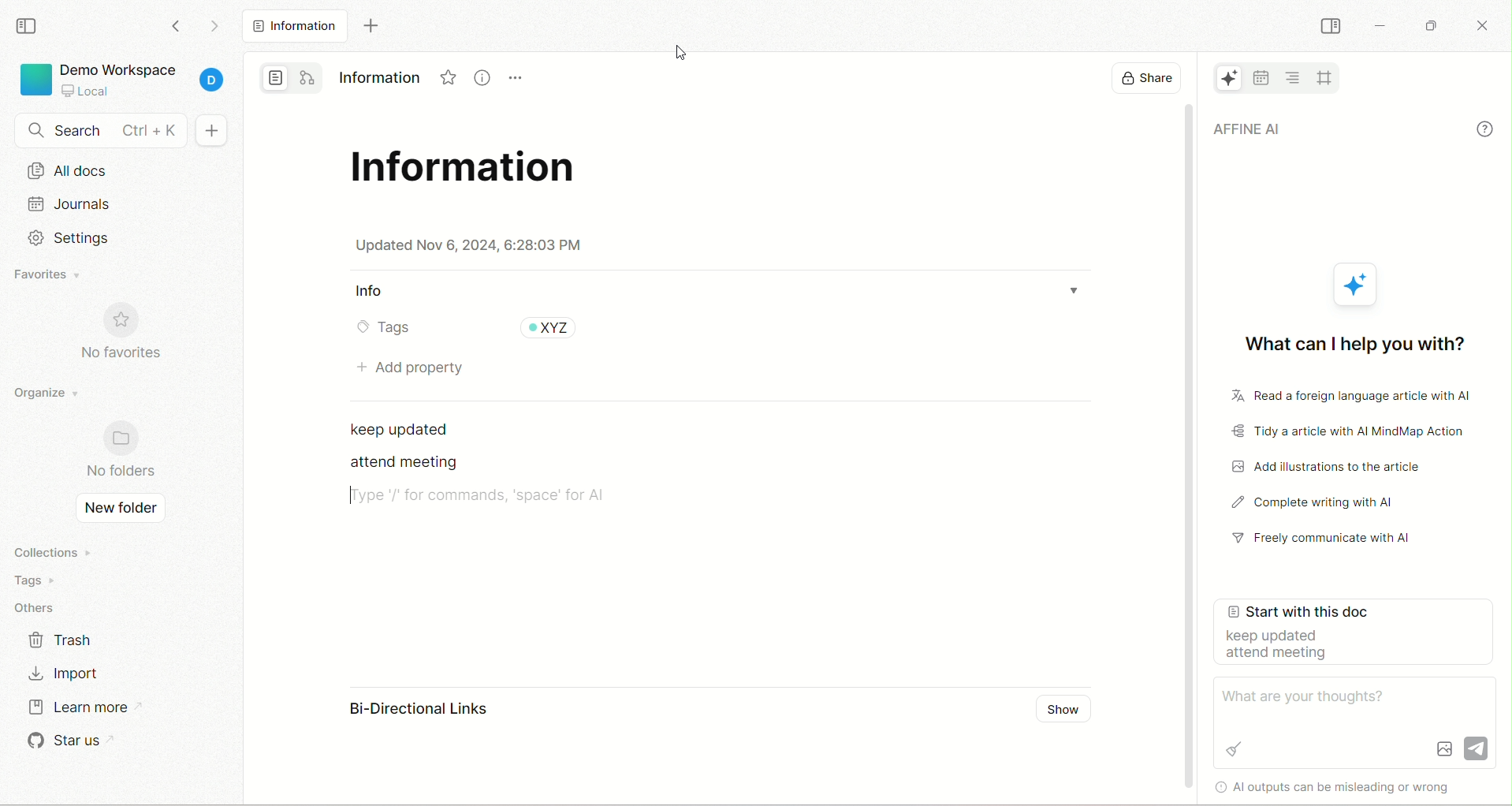 This screenshot has width=1512, height=806. Describe the element at coordinates (1082, 285) in the screenshot. I see `Dropdown menu` at that location.